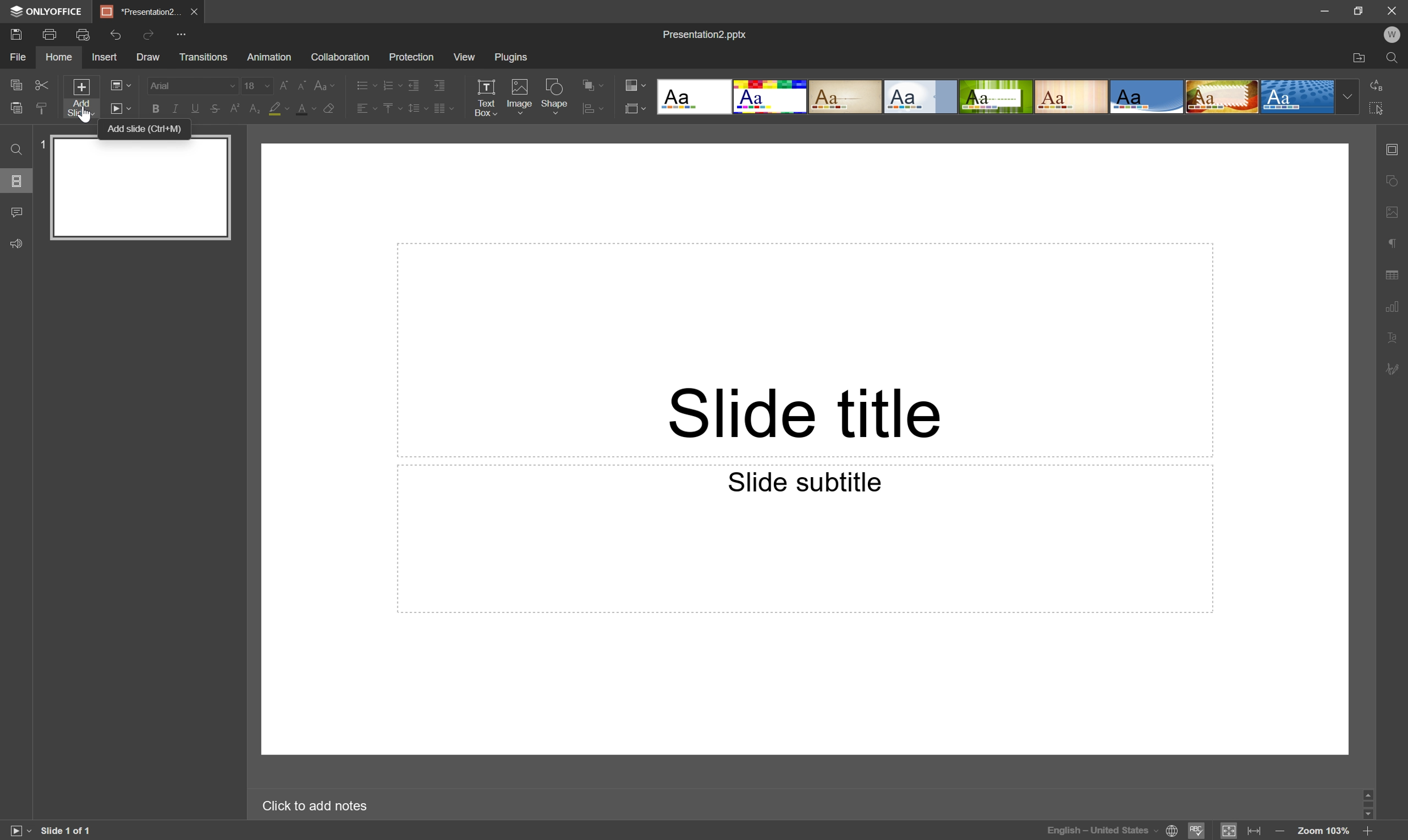 The height and width of the screenshot is (840, 1408). What do you see at coordinates (18, 84) in the screenshot?
I see `Copy` at bounding box center [18, 84].